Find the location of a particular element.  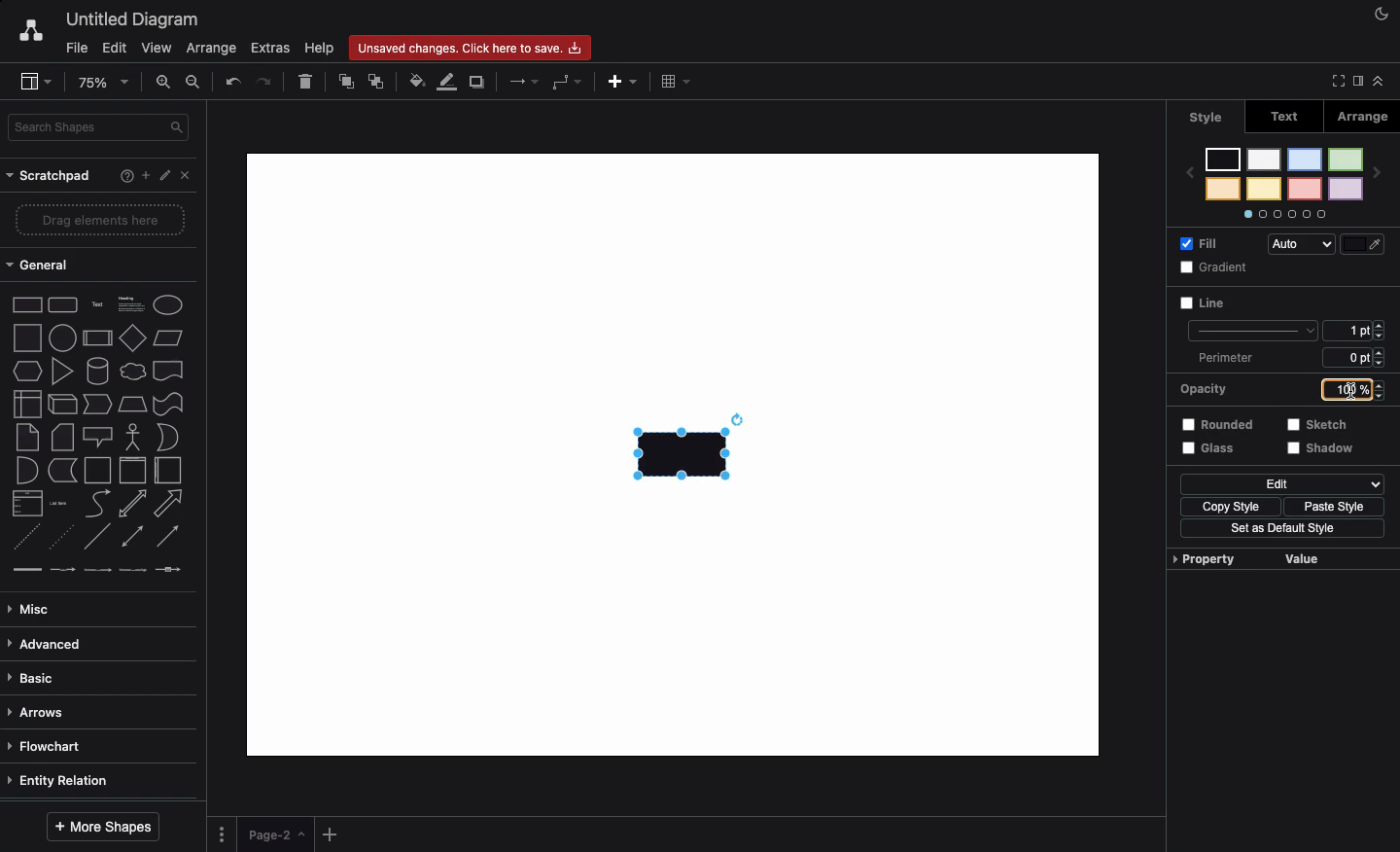

Glass is located at coordinates (1209, 448).